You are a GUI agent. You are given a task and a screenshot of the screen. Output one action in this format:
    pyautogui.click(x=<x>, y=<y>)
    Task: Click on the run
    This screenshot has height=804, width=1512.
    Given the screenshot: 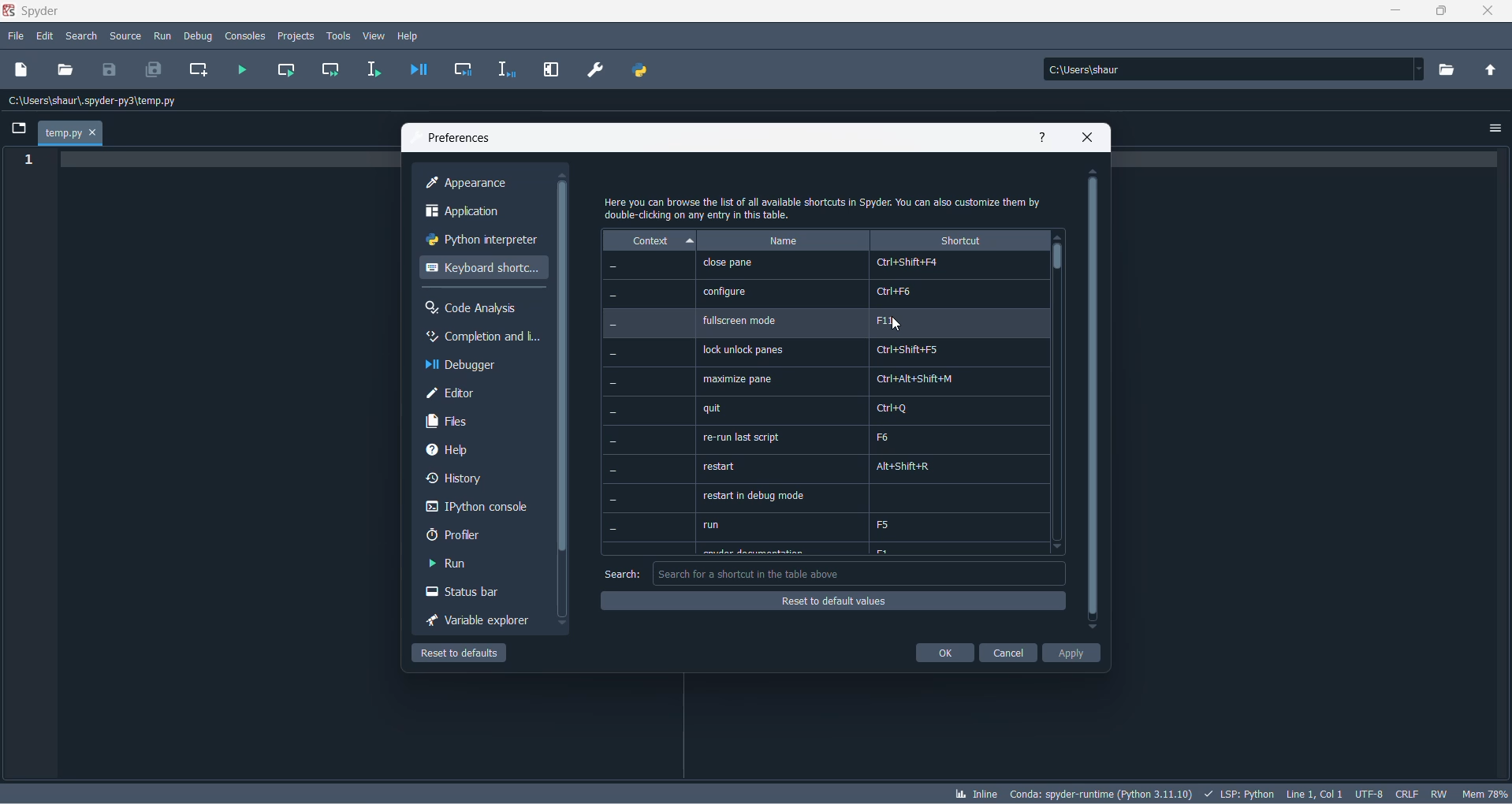 What is the action you would take?
    pyautogui.click(x=464, y=564)
    